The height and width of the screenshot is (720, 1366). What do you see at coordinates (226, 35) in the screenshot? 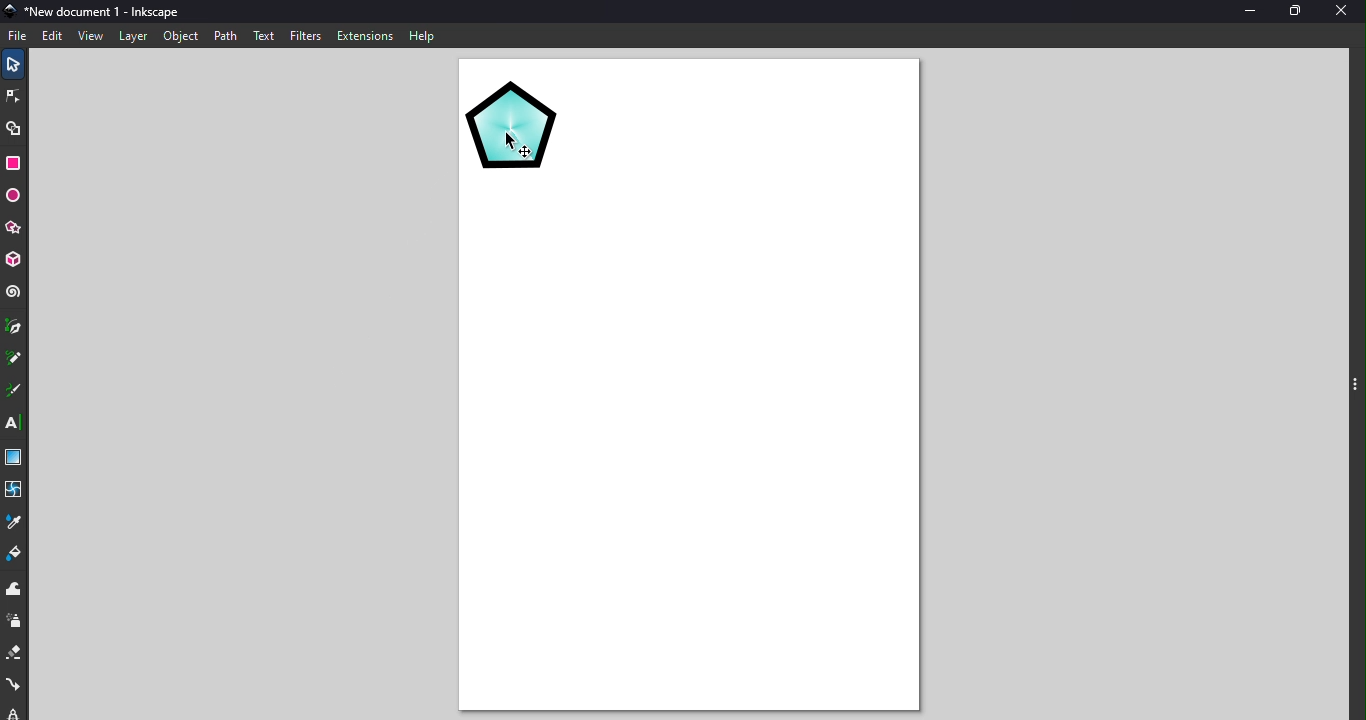
I see `Path` at bounding box center [226, 35].